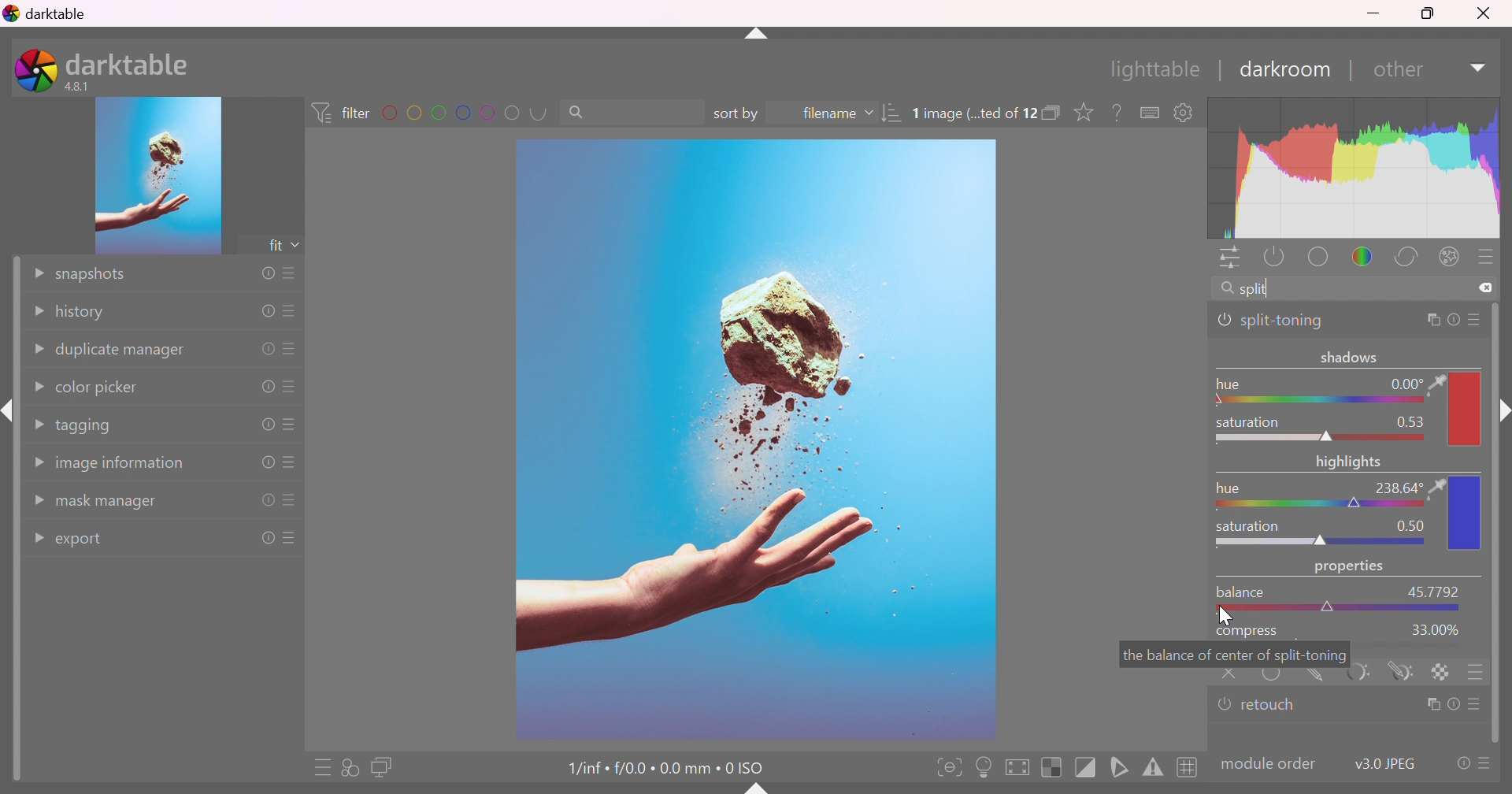  What do you see at coordinates (1440, 673) in the screenshot?
I see `rastor marks` at bounding box center [1440, 673].